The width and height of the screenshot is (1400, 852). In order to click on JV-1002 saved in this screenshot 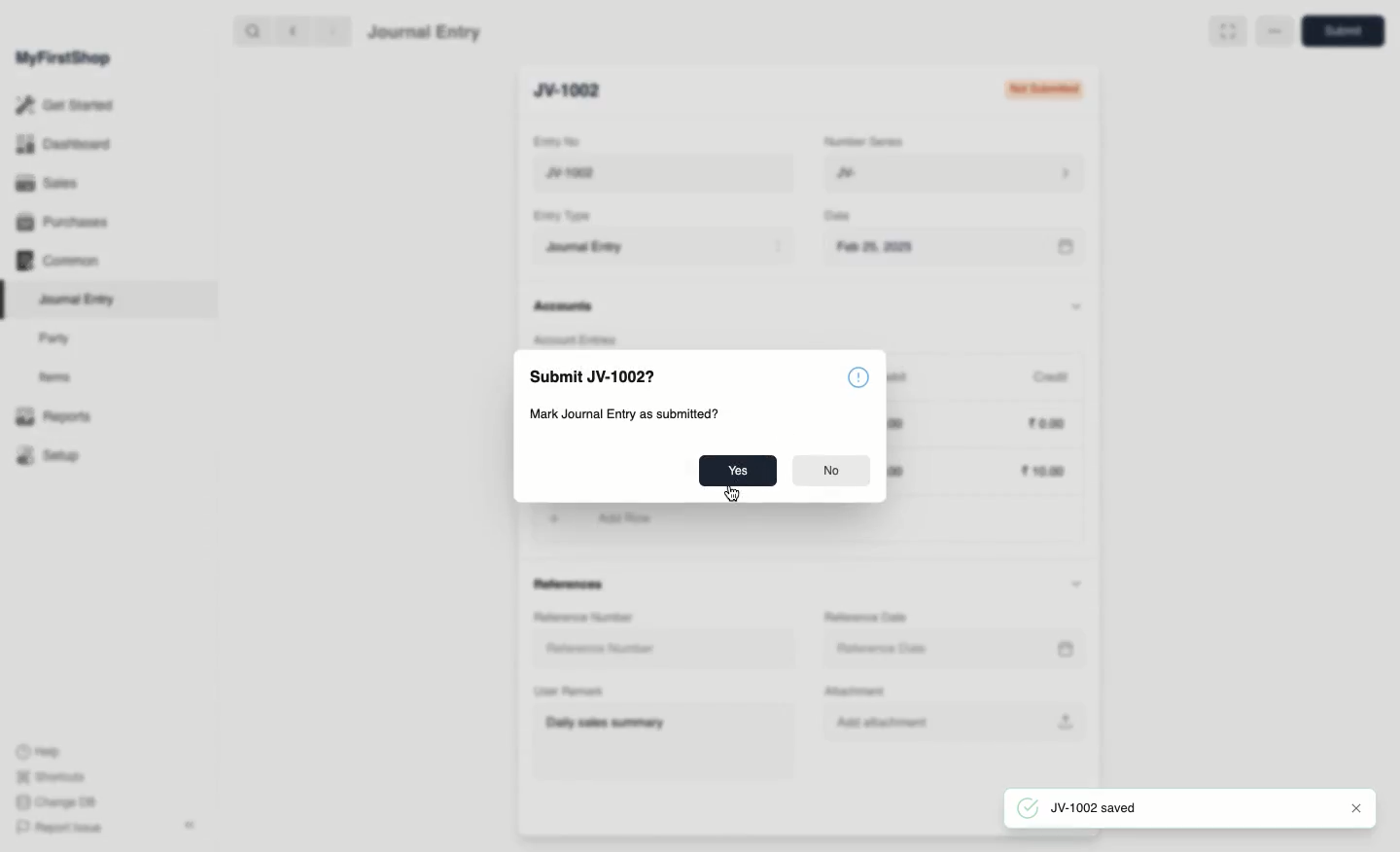, I will do `click(1103, 808)`.